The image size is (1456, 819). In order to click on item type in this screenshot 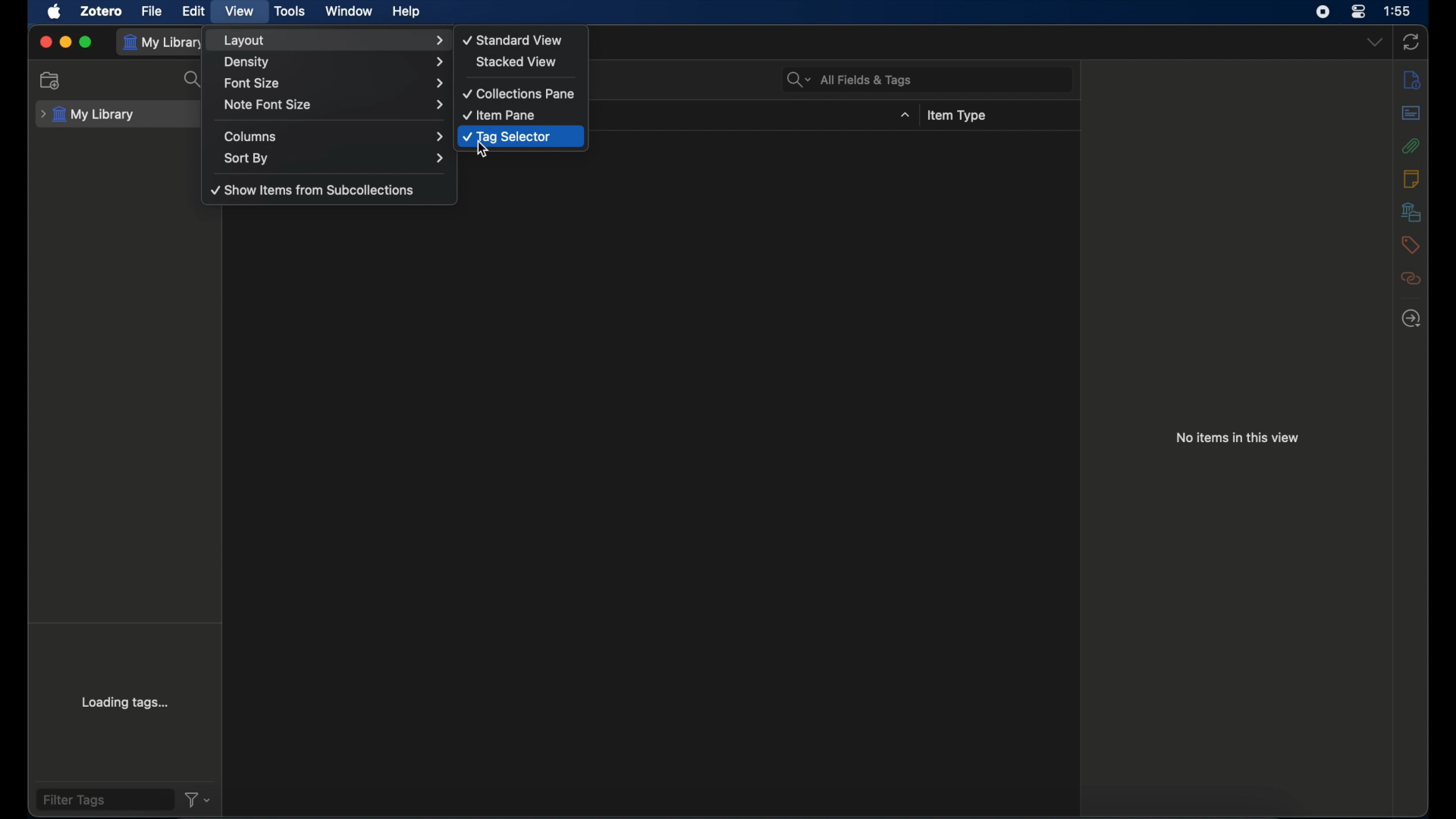, I will do `click(956, 116)`.